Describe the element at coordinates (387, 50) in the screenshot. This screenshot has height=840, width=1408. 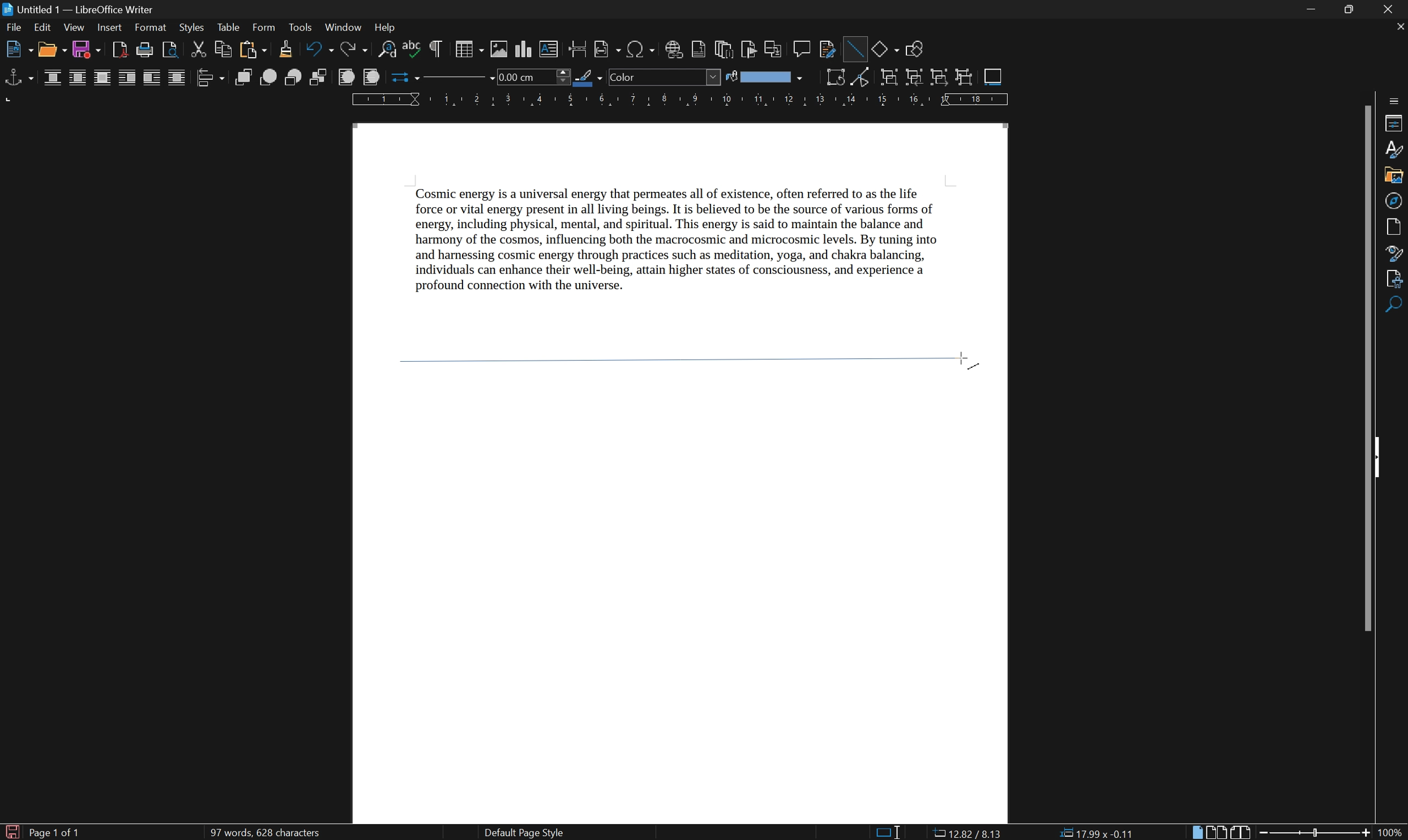
I see `find and replace` at that location.